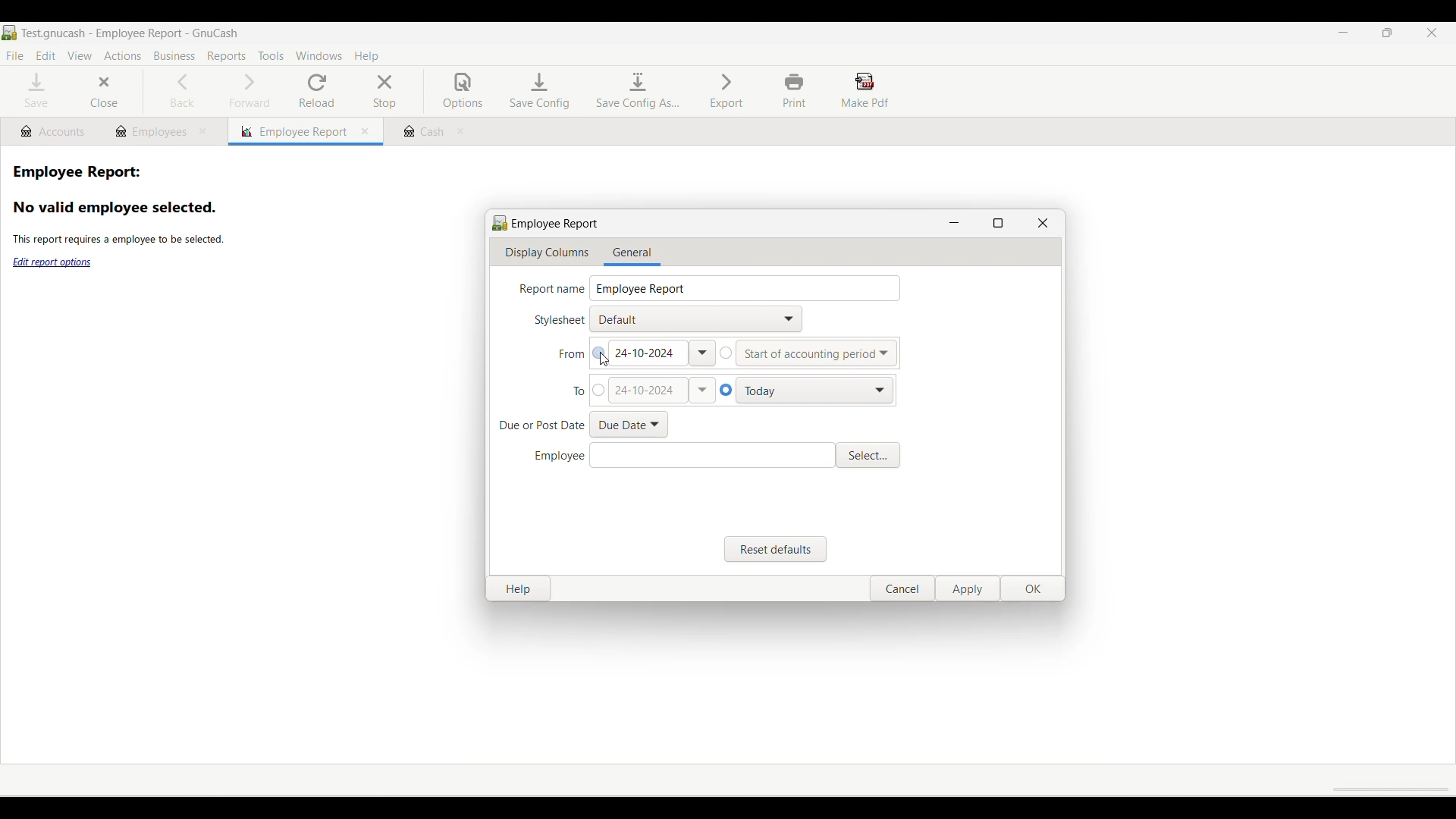 This screenshot has width=1456, height=819. Describe the element at coordinates (633, 252) in the screenshot. I see `General` at that location.